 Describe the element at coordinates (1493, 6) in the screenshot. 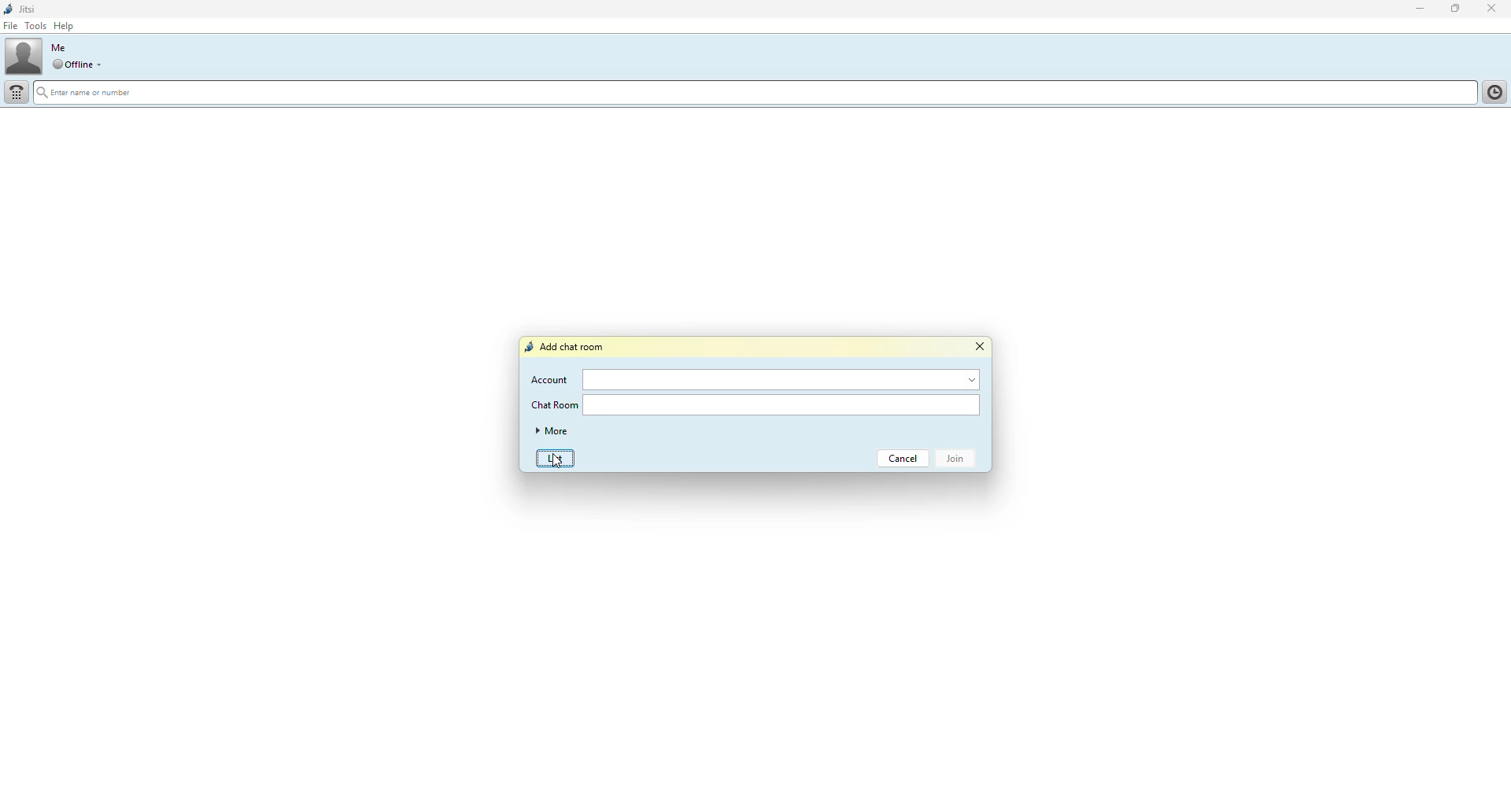

I see `close` at that location.